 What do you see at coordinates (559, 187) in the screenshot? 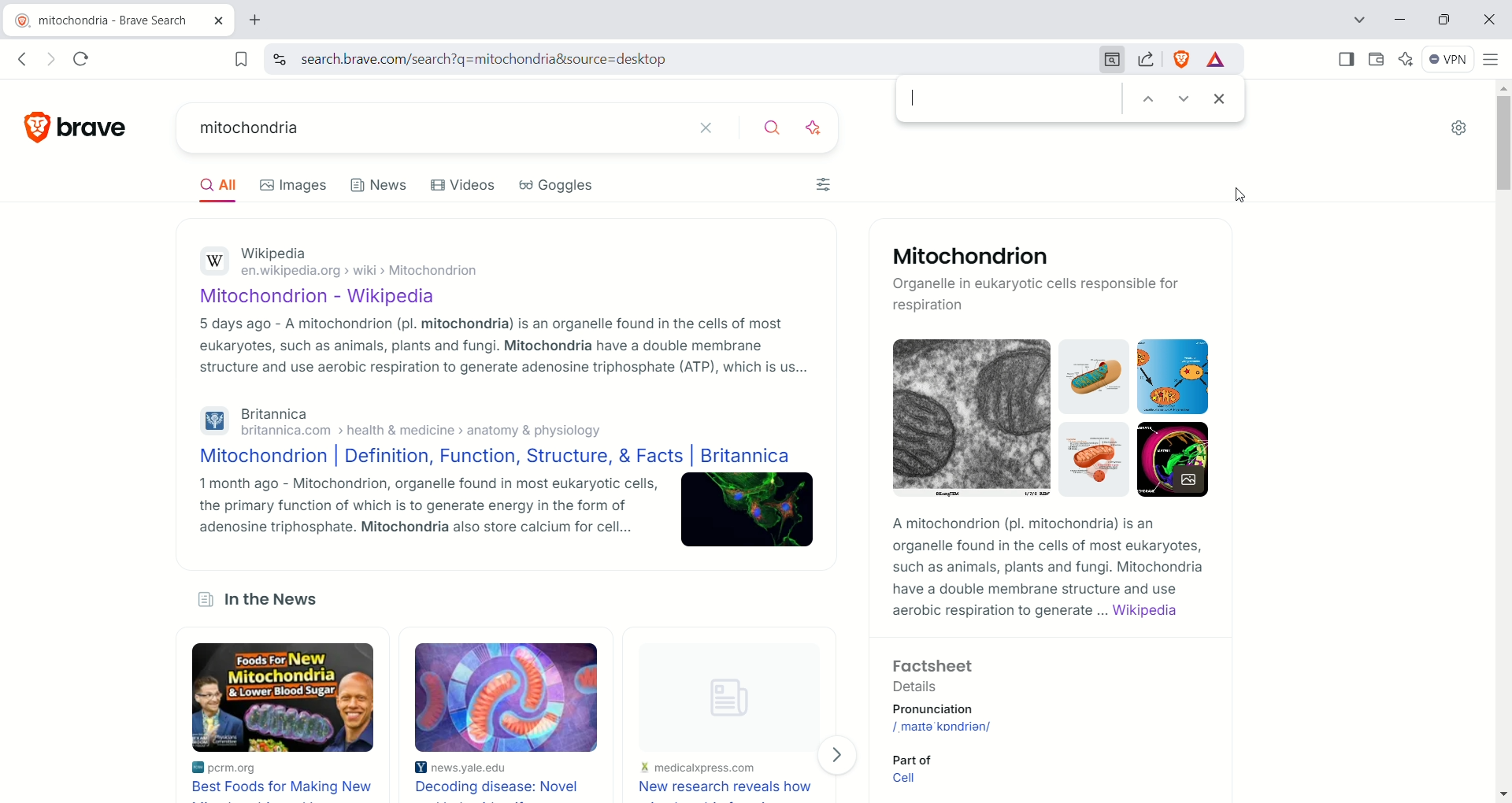
I see `Goggles` at bounding box center [559, 187].